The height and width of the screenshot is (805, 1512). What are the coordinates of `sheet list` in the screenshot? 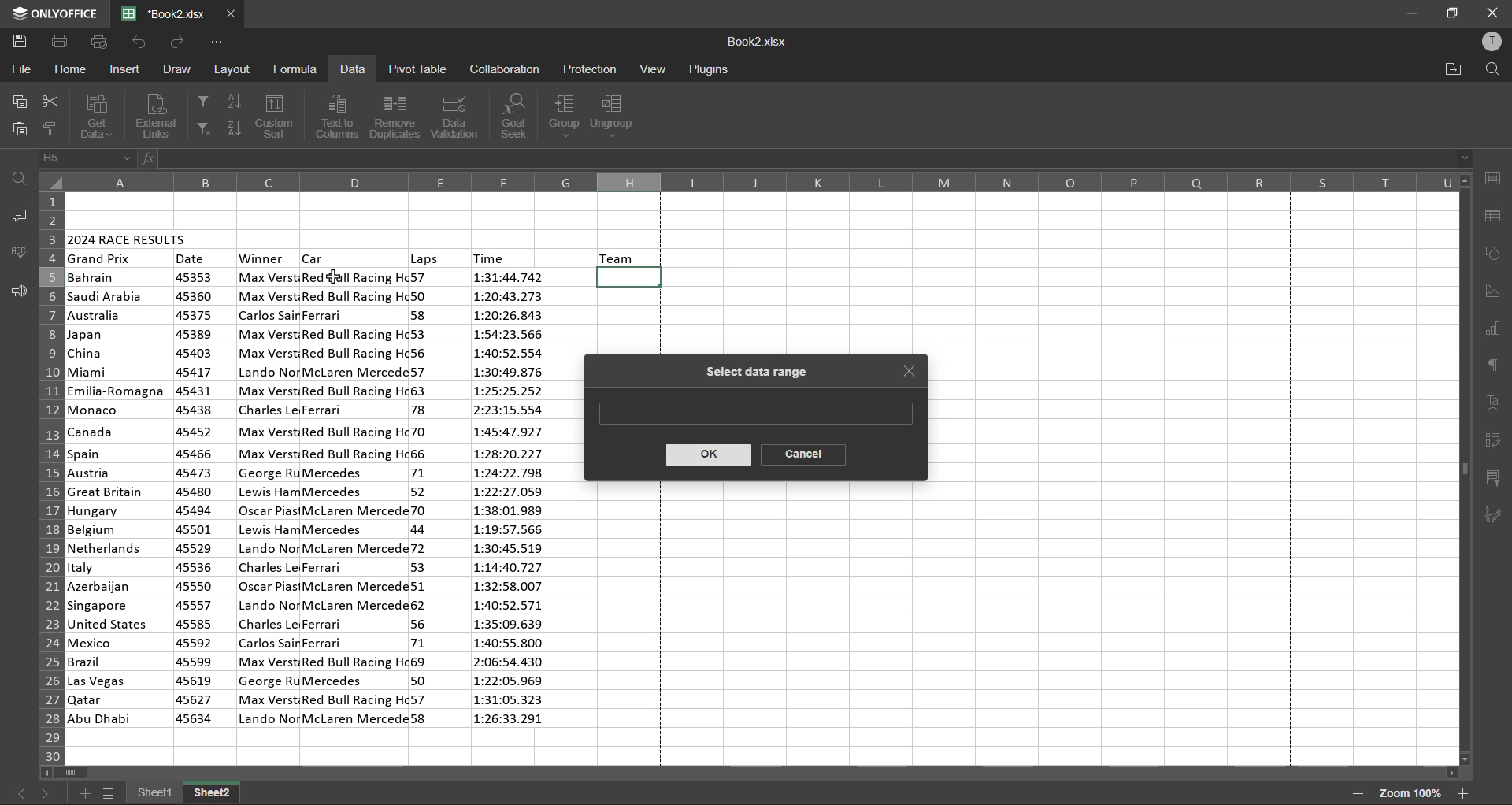 It's located at (112, 796).